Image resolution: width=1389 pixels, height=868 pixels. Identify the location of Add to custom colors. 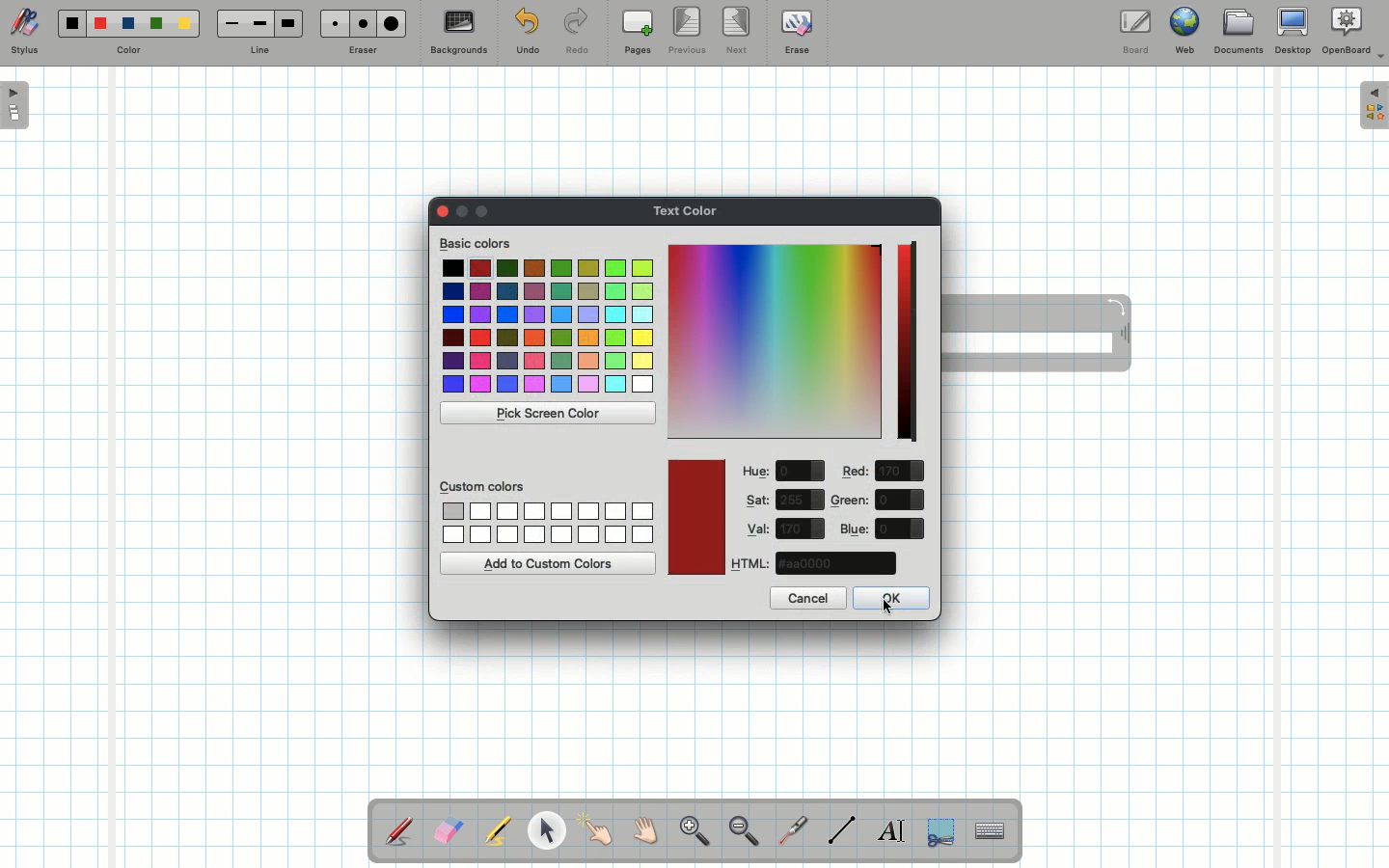
(549, 563).